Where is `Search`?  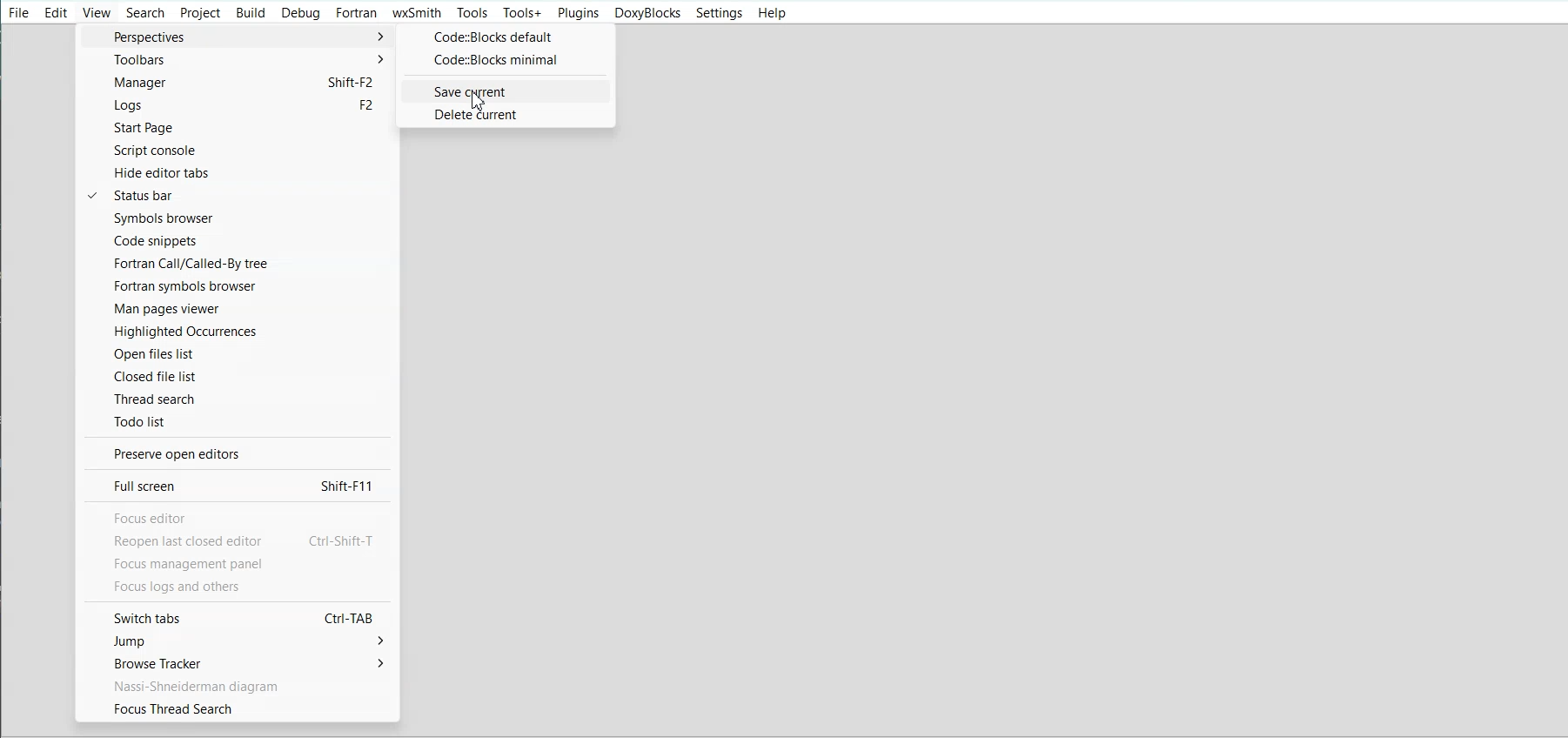
Search is located at coordinates (145, 12).